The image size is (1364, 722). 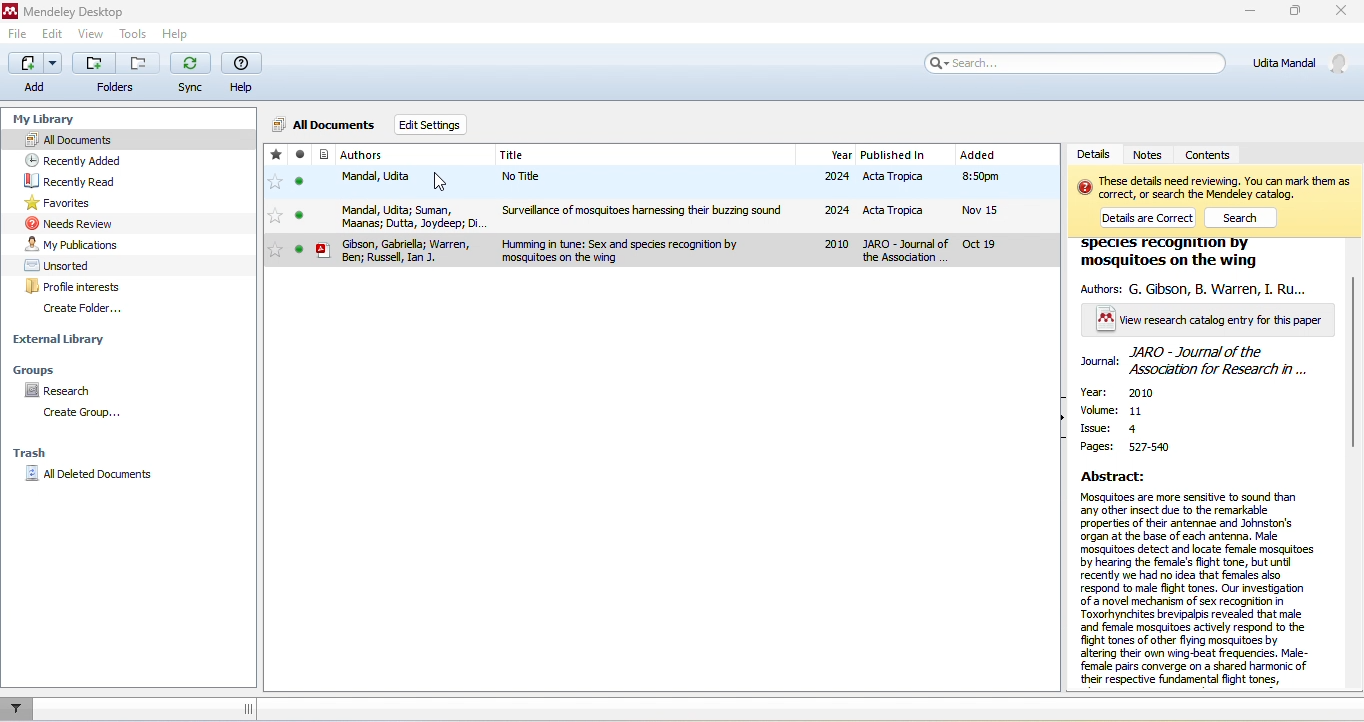 I want to click on notes, so click(x=1150, y=154).